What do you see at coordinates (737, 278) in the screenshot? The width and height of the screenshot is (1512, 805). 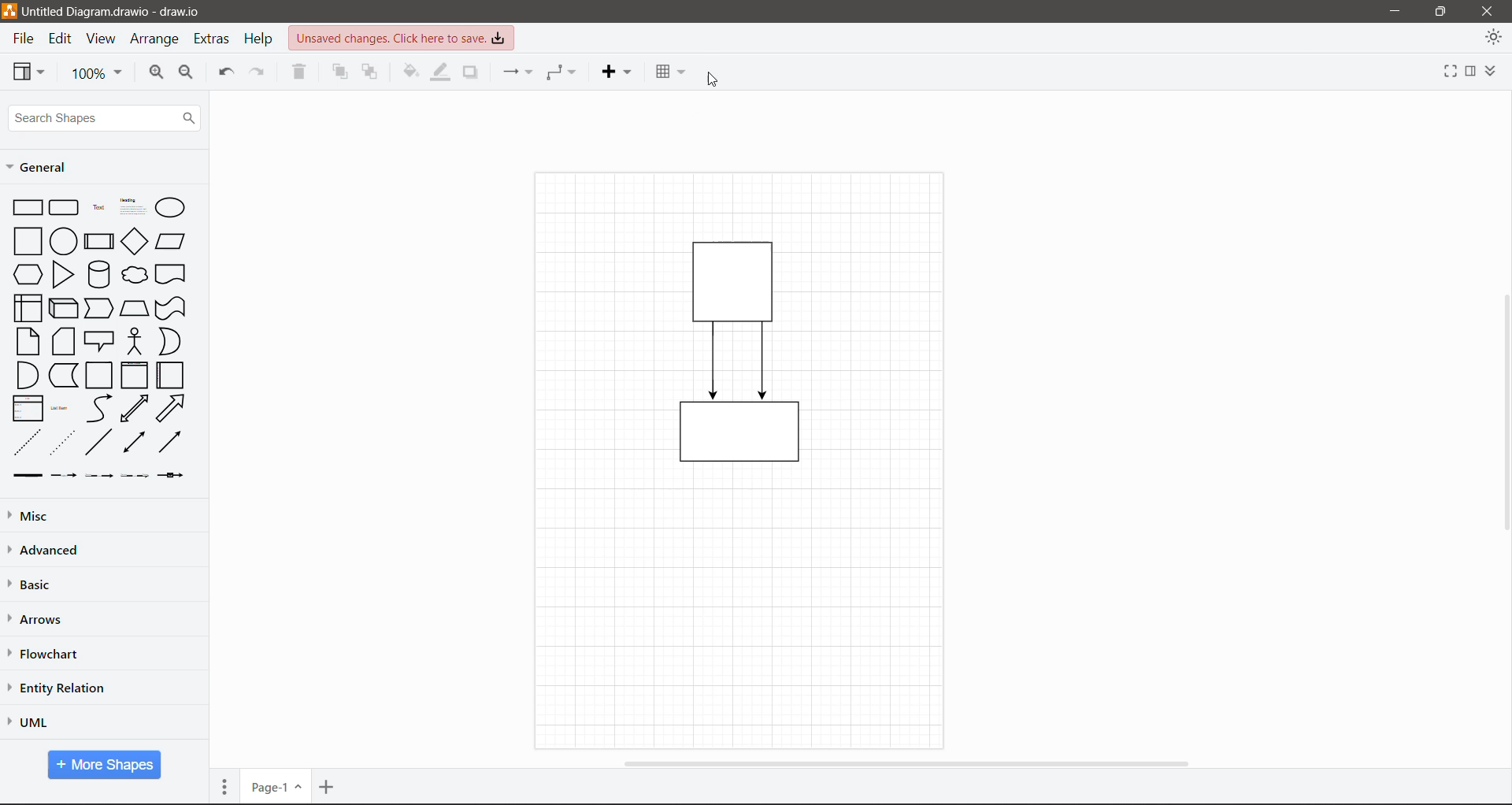 I see `container` at bounding box center [737, 278].